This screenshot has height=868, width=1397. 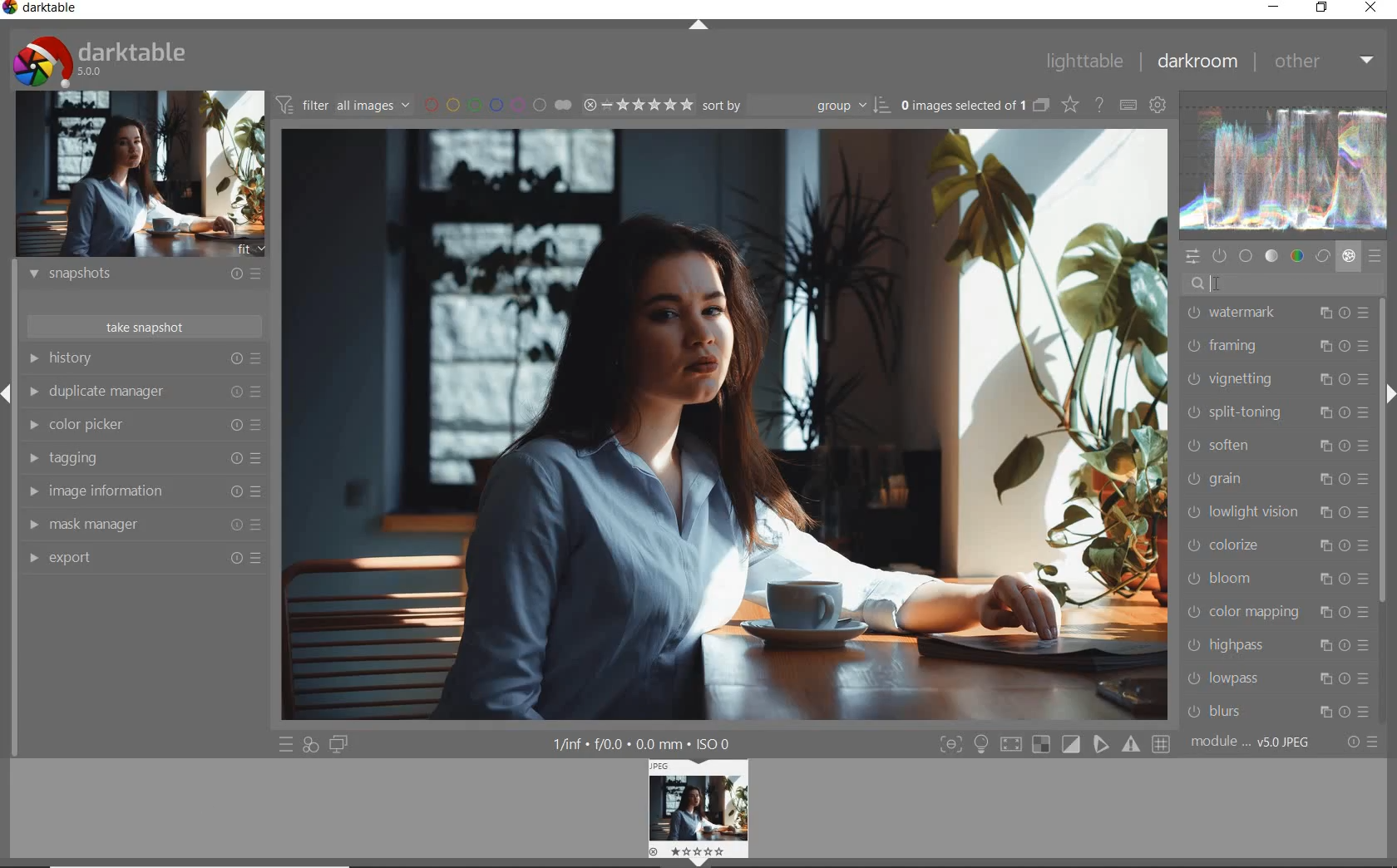 I want to click on soften, so click(x=1276, y=447).